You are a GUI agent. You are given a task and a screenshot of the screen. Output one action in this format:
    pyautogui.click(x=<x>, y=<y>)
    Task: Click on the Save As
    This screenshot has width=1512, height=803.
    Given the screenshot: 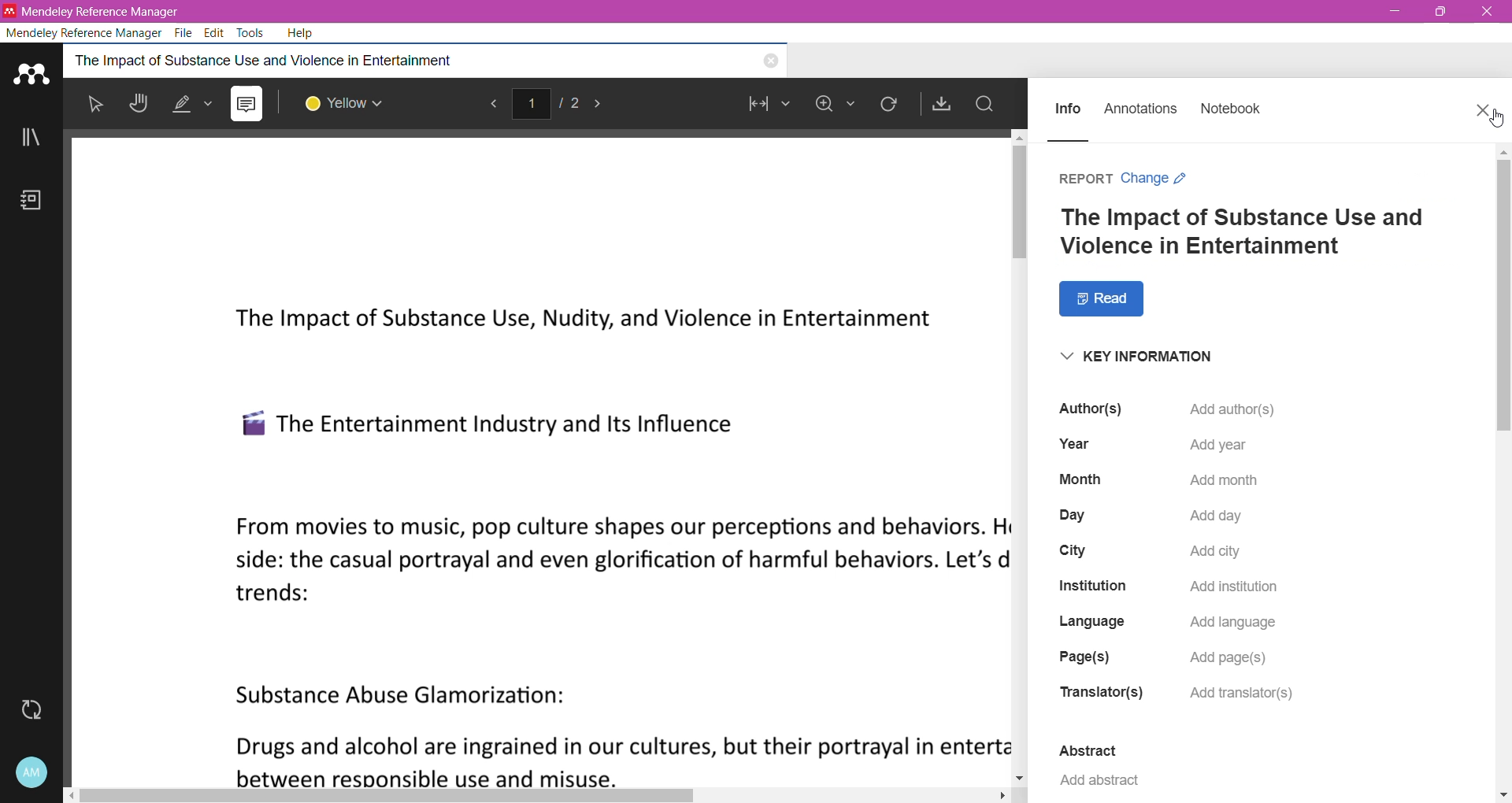 What is the action you would take?
    pyautogui.click(x=942, y=104)
    